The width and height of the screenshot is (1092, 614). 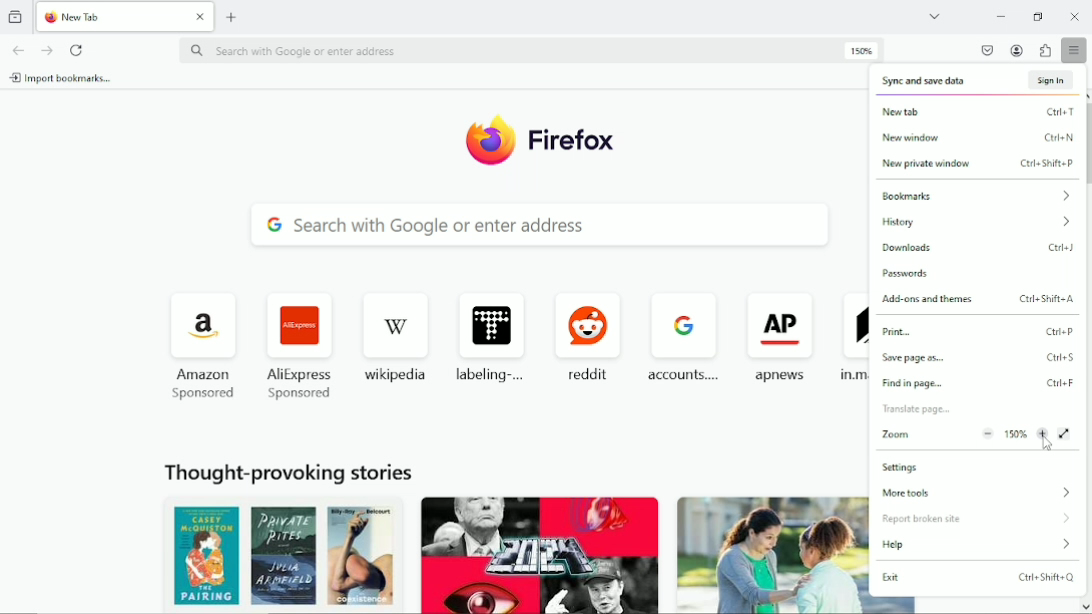 What do you see at coordinates (981, 494) in the screenshot?
I see `More tools` at bounding box center [981, 494].